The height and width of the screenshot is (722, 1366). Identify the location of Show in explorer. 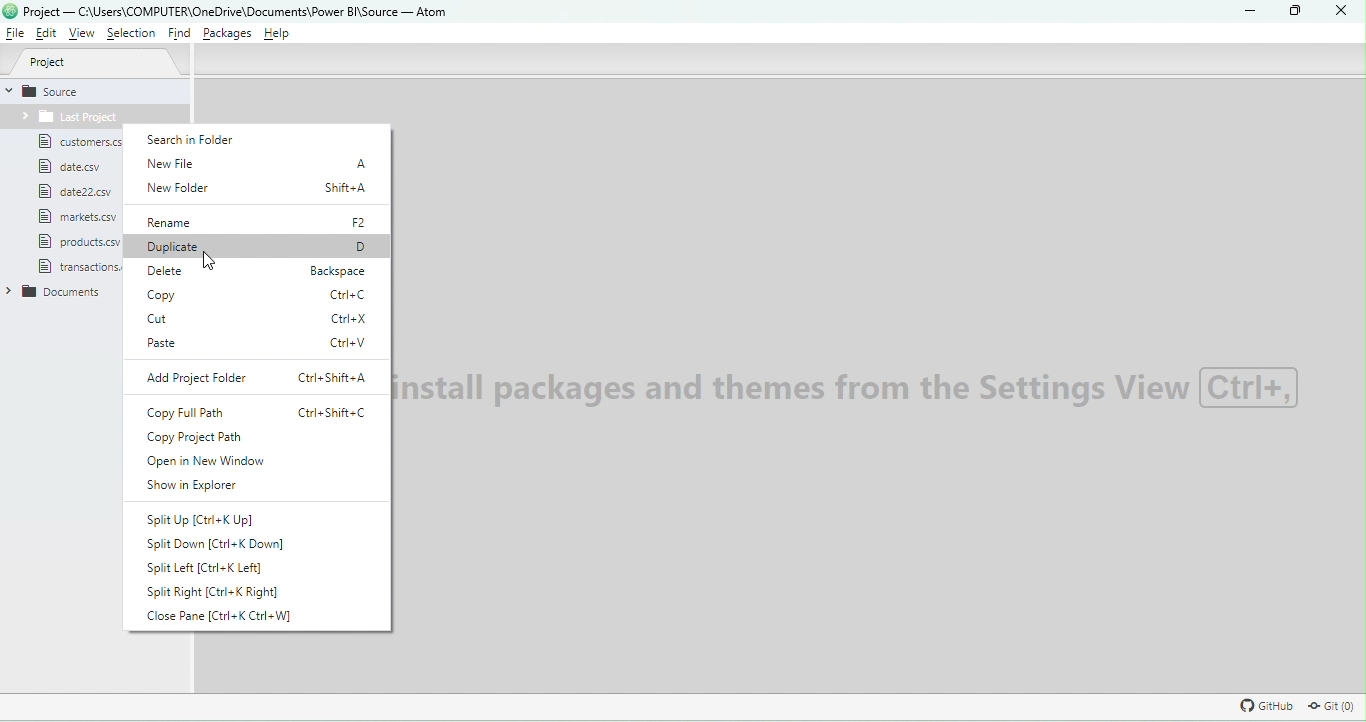
(220, 488).